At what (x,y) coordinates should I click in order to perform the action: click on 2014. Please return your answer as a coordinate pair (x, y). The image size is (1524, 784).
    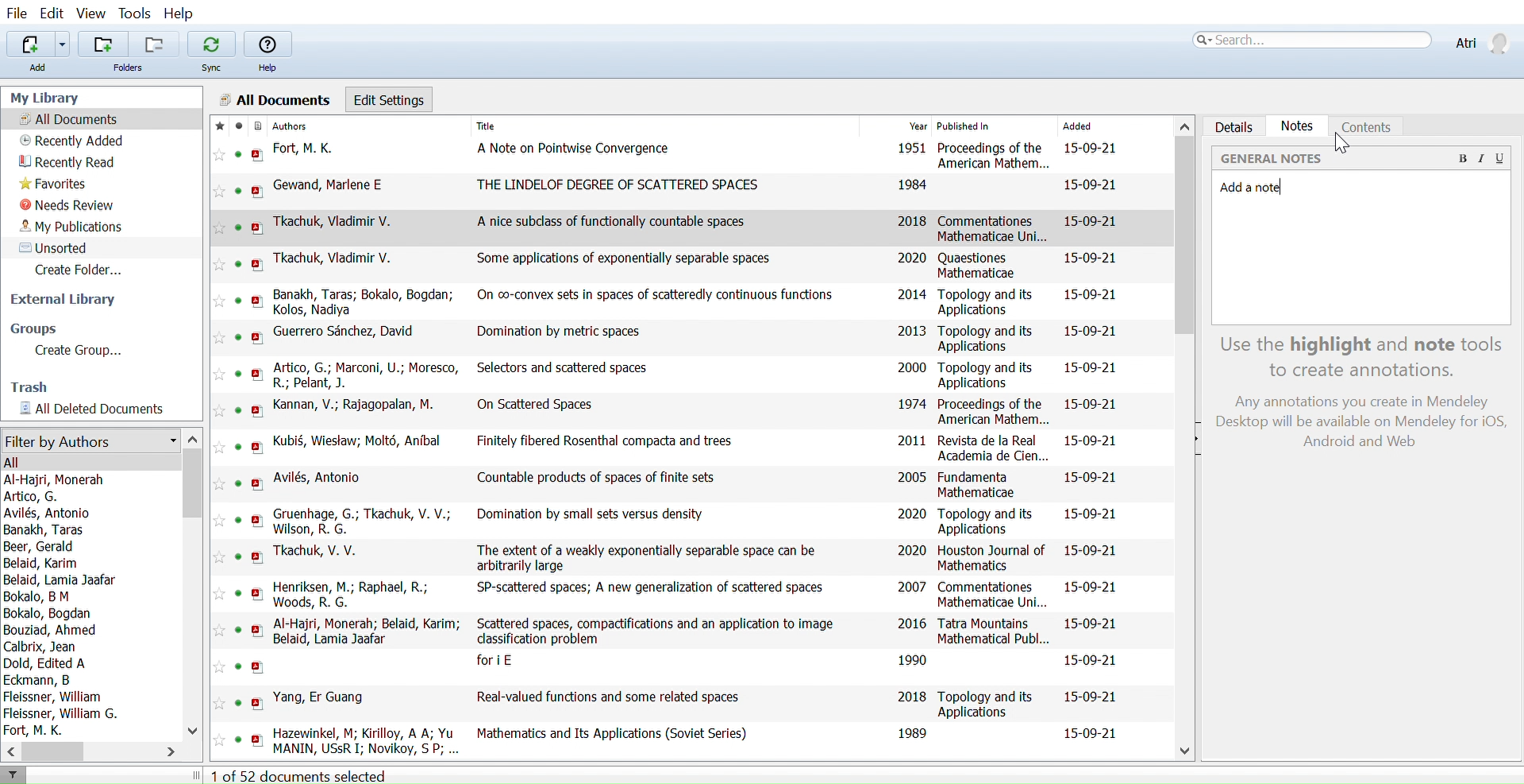
    Looking at the image, I should click on (912, 295).